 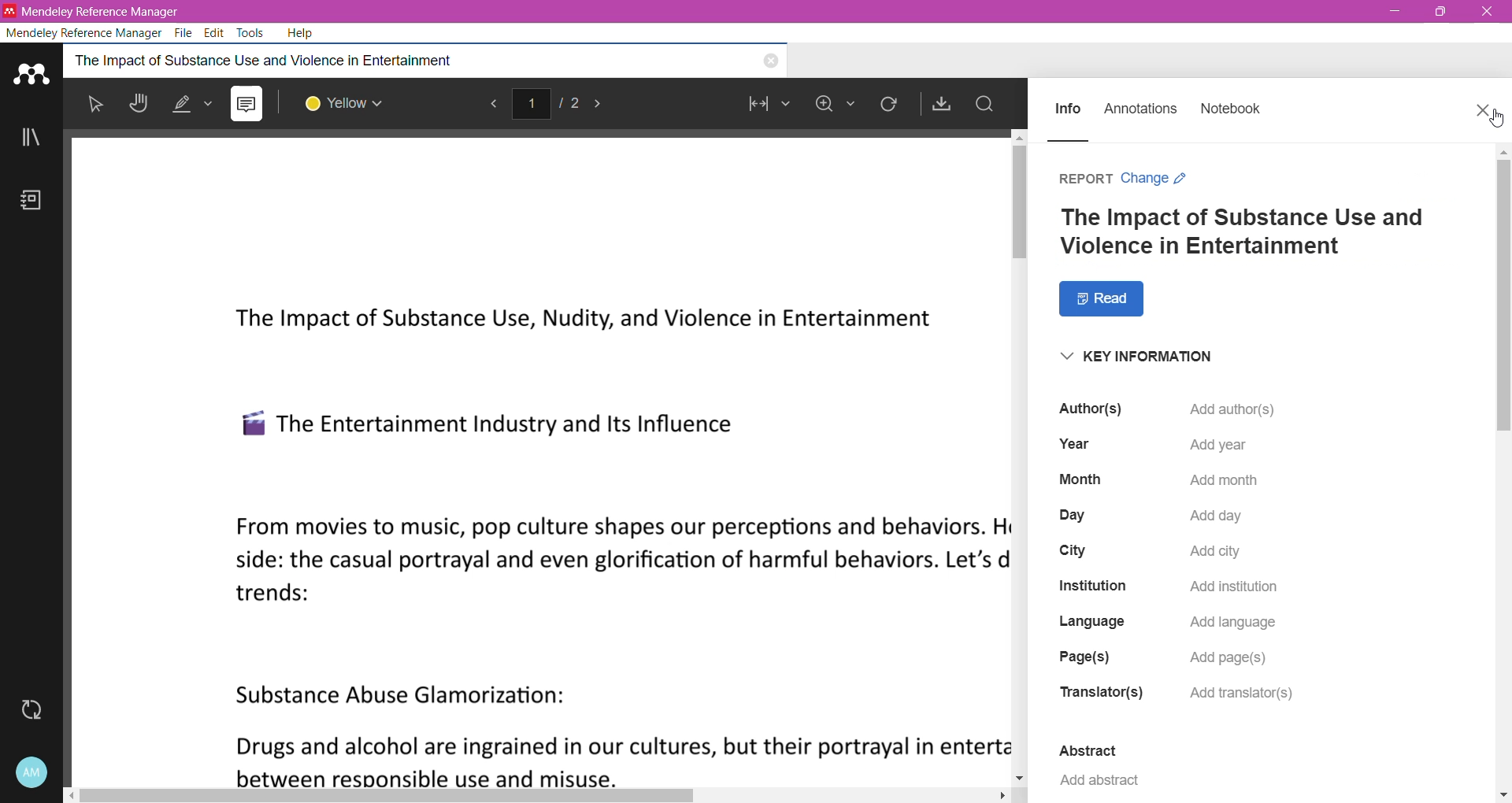 I want to click on Month, so click(x=1079, y=479).